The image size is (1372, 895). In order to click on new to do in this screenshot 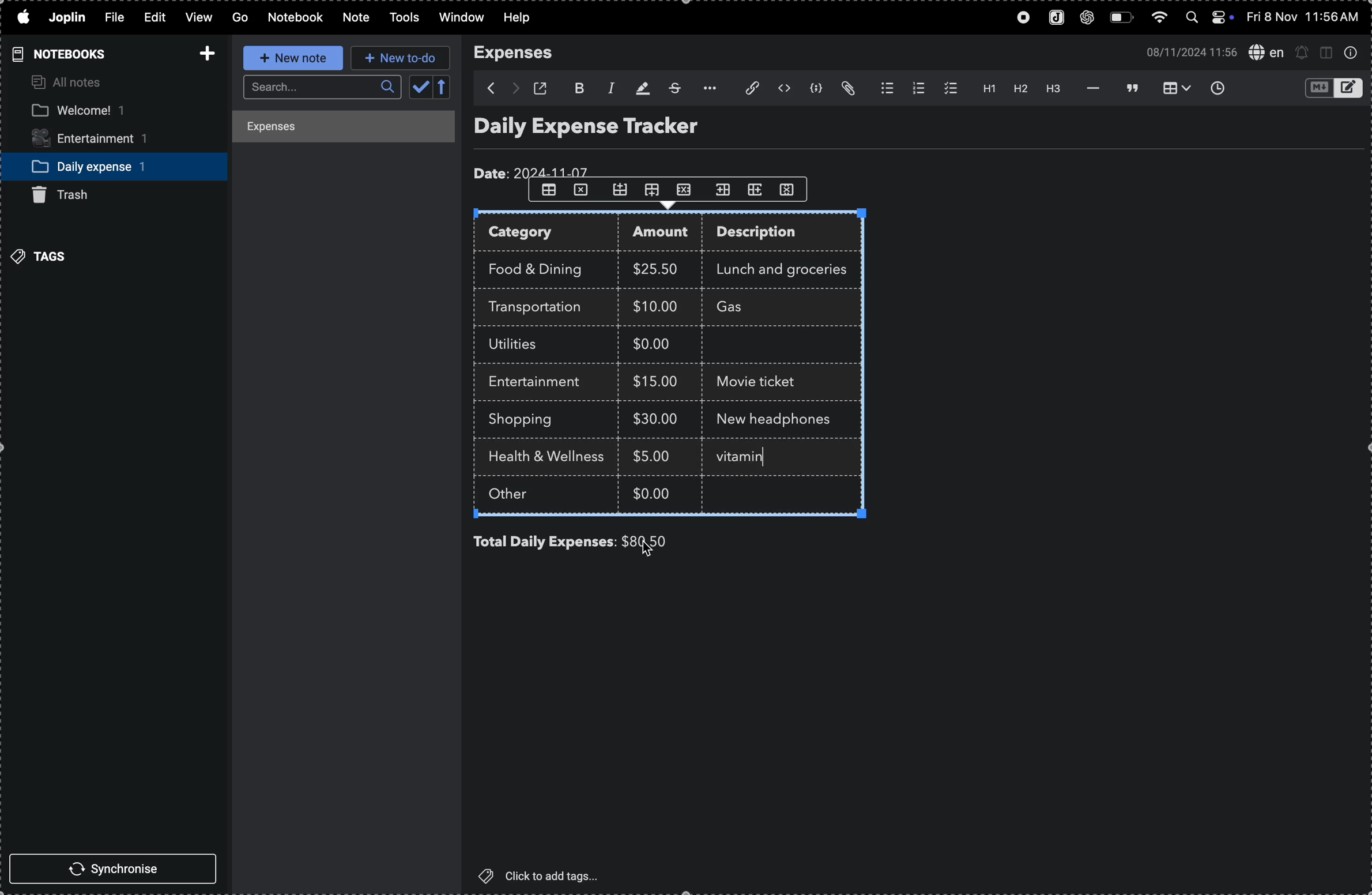, I will do `click(401, 58)`.